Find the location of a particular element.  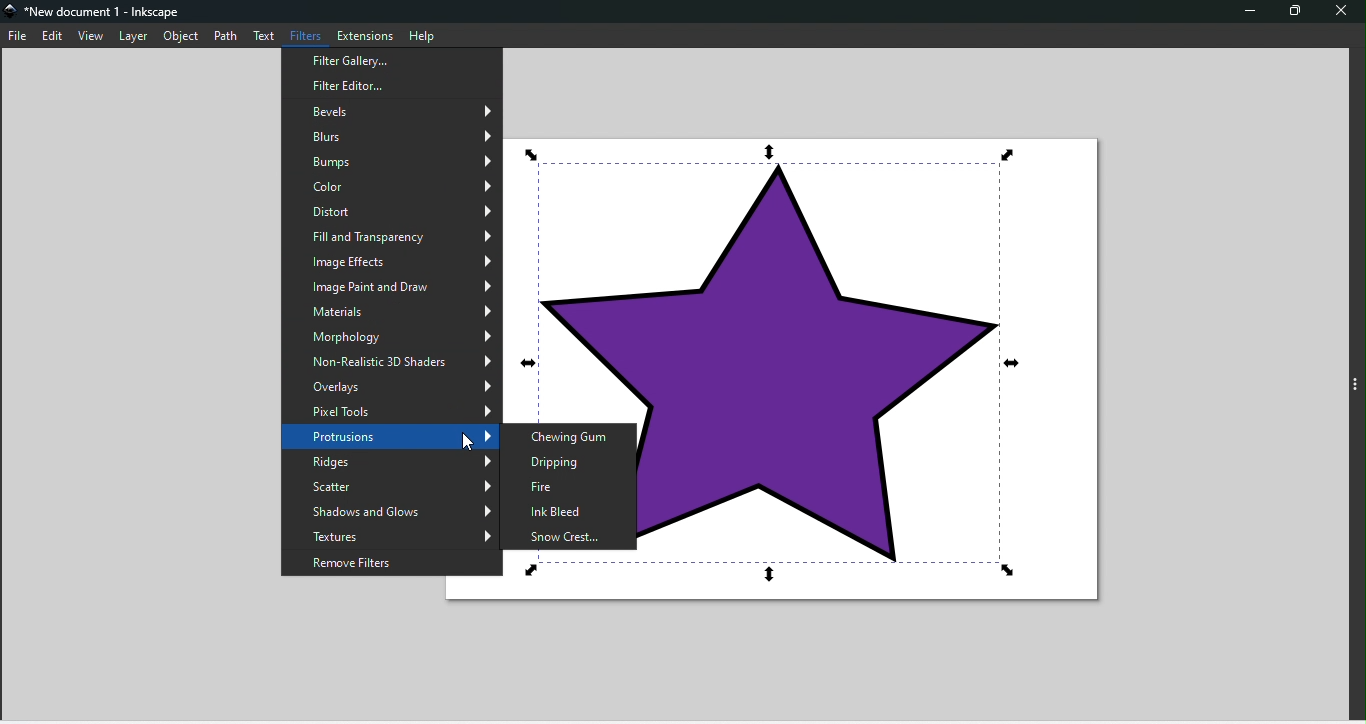

Scatter is located at coordinates (391, 485).